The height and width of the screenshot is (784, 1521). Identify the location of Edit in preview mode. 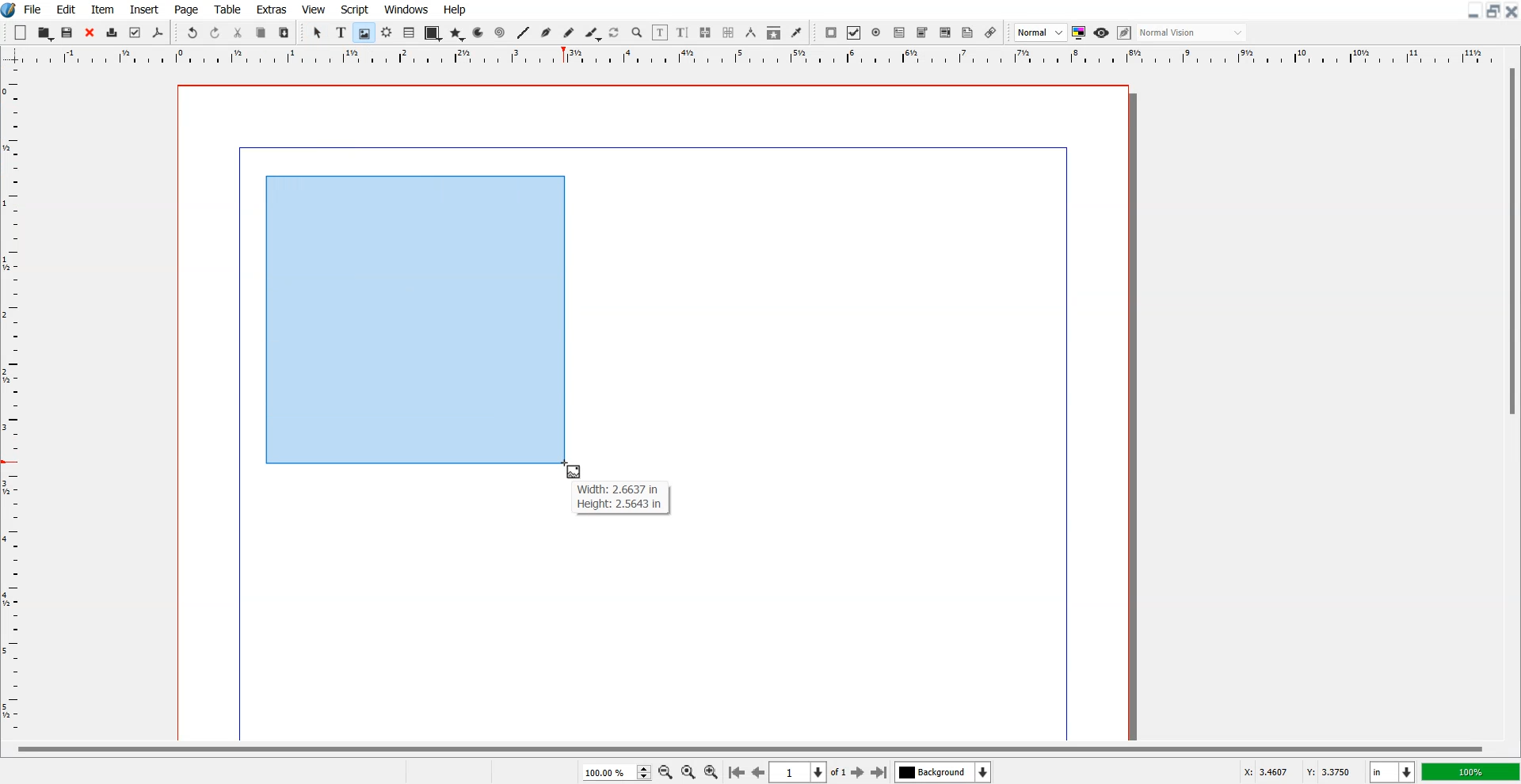
(1125, 32).